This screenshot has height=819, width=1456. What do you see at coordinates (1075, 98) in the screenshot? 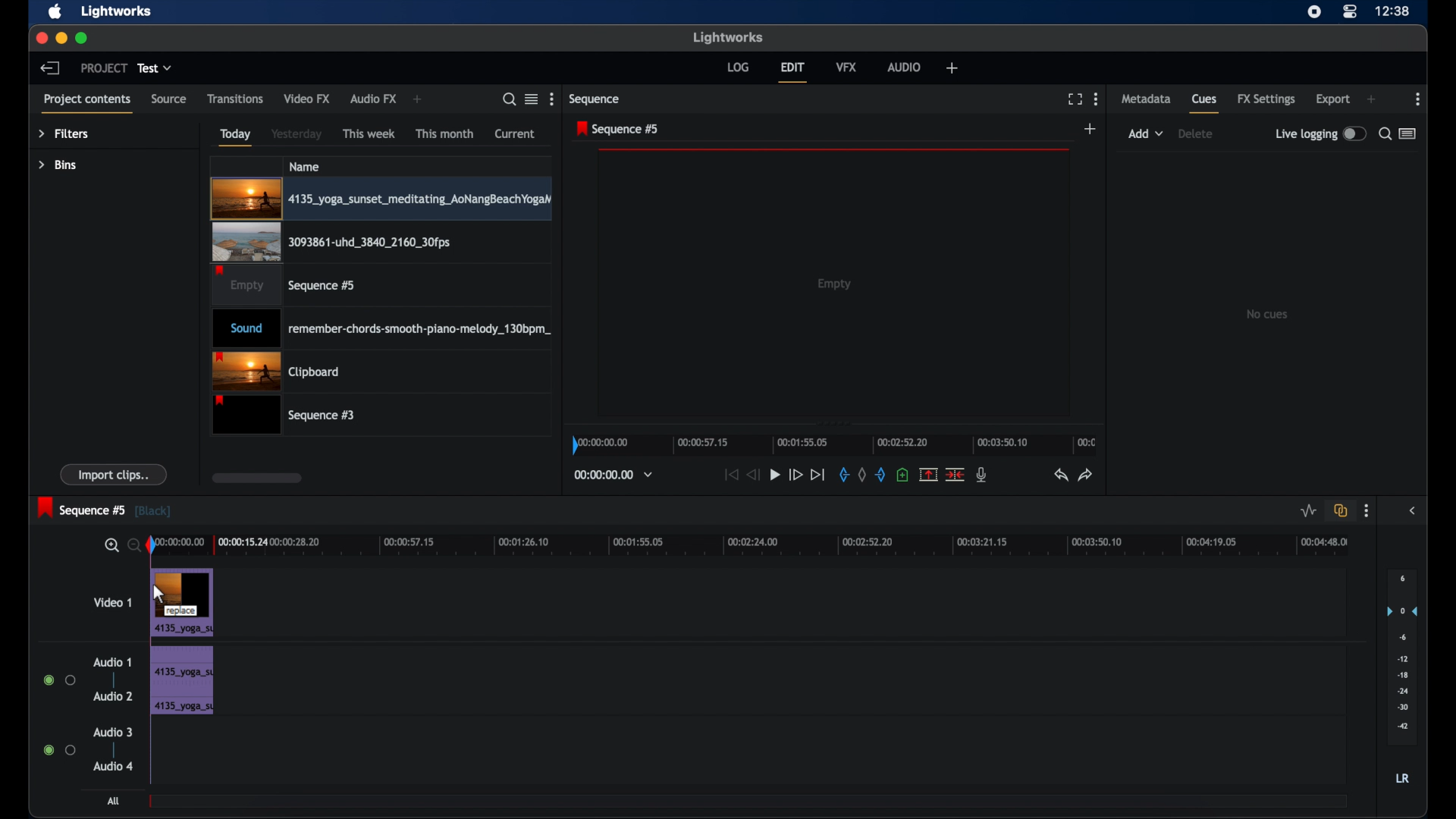
I see `full screen` at bounding box center [1075, 98].